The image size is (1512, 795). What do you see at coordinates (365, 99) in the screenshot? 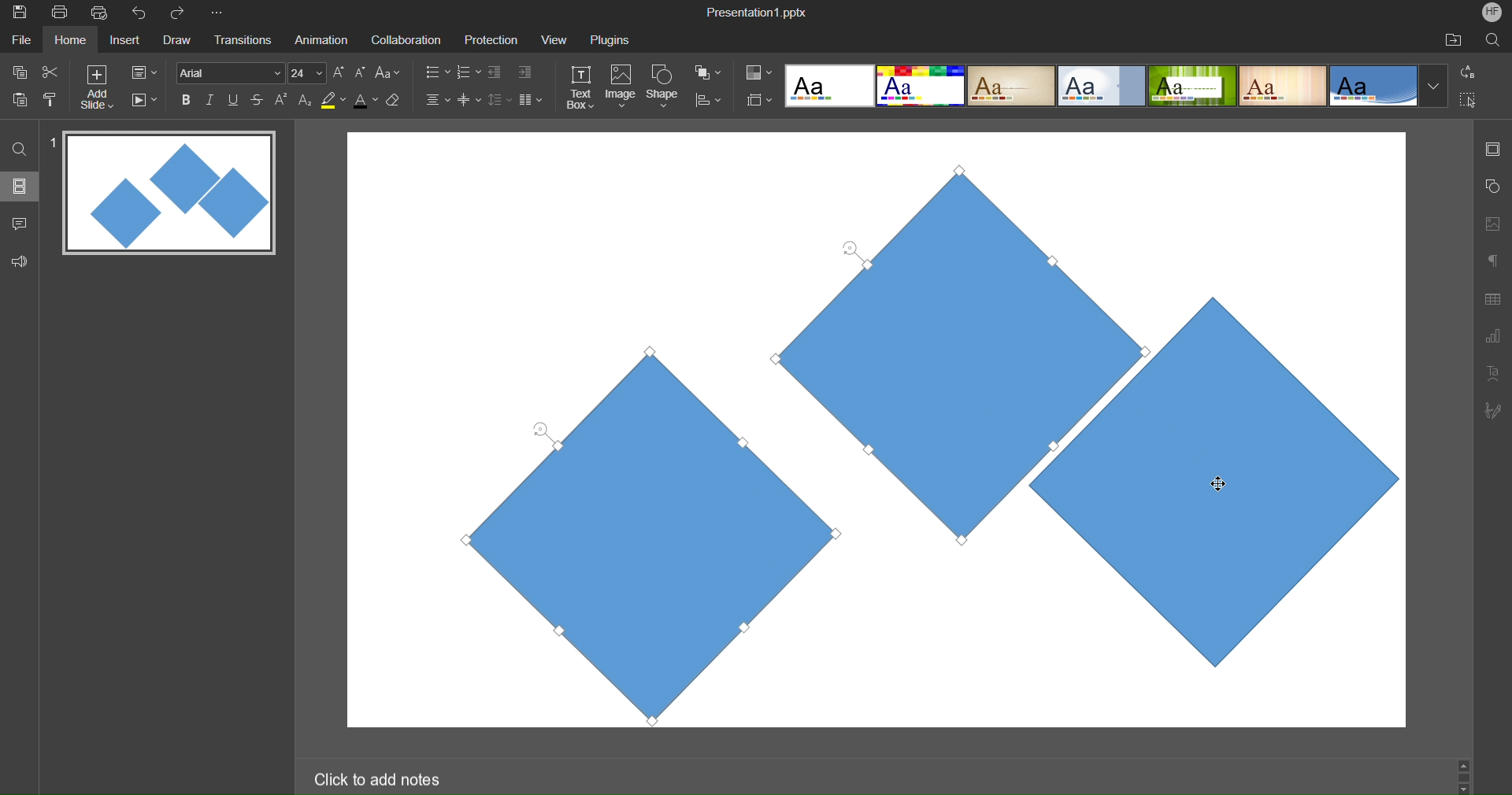
I see `Text Color` at bounding box center [365, 99].